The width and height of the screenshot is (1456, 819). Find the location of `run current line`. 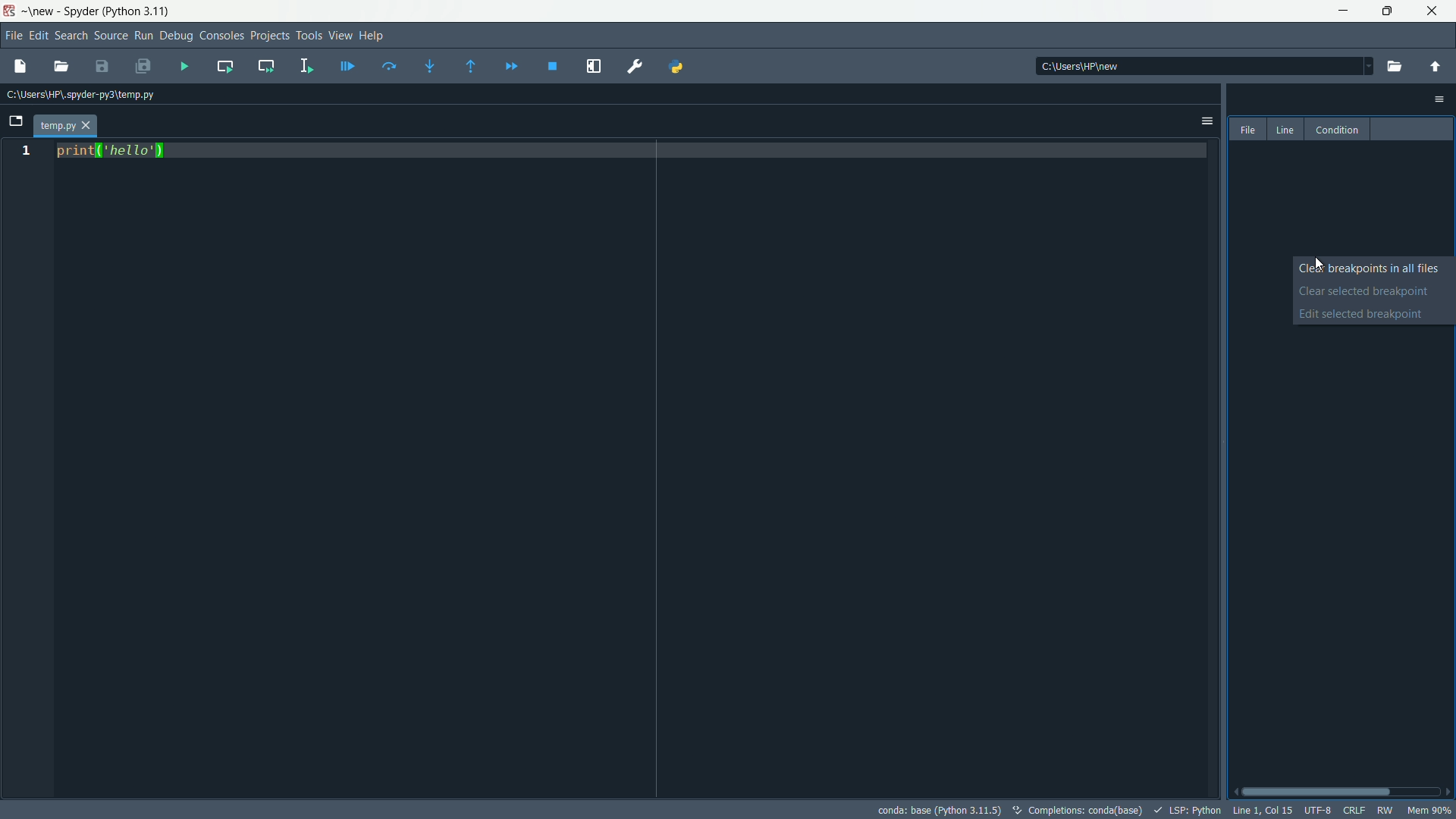

run current line is located at coordinates (389, 66).